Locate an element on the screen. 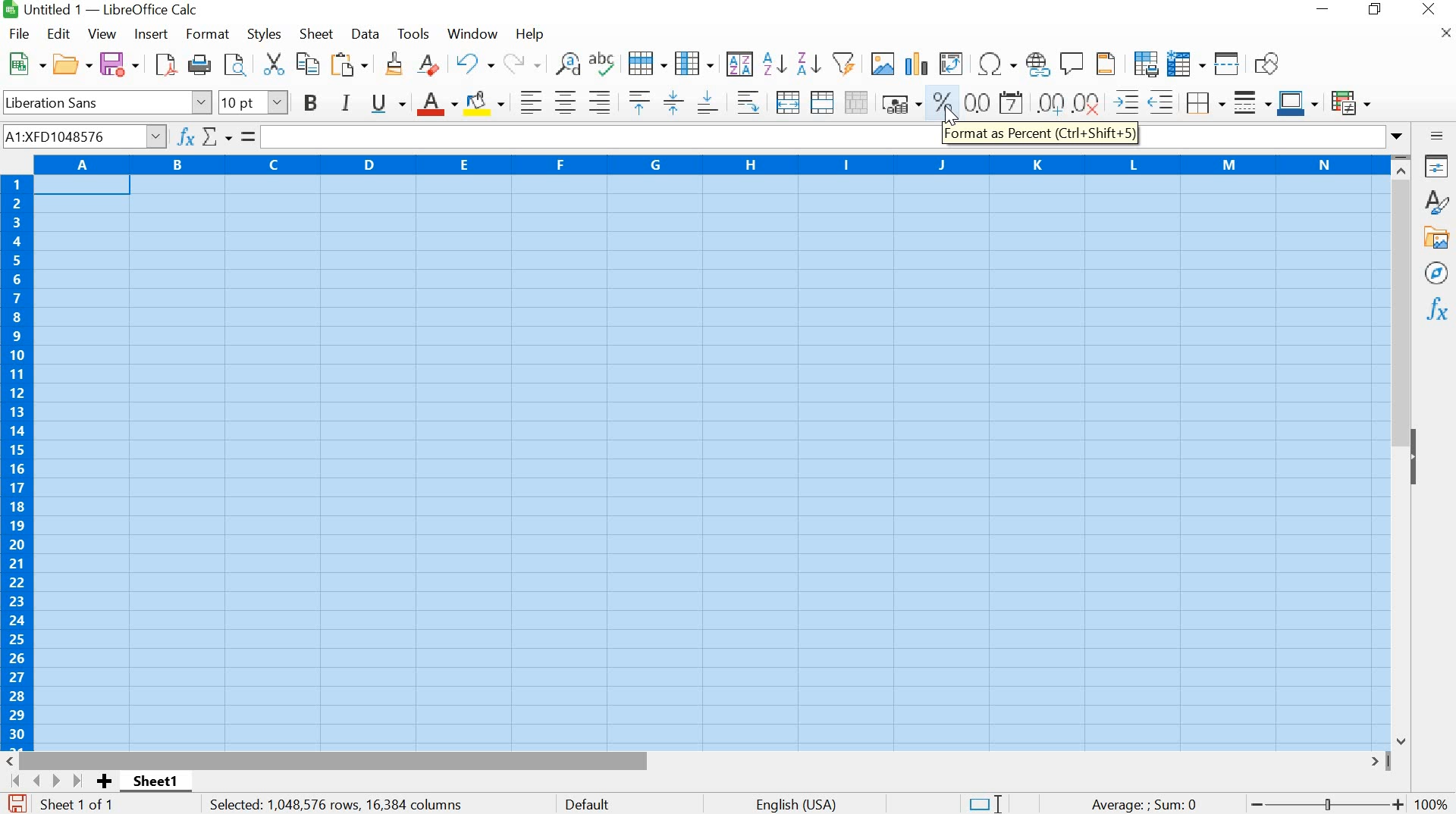  Borders is located at coordinates (1203, 102).